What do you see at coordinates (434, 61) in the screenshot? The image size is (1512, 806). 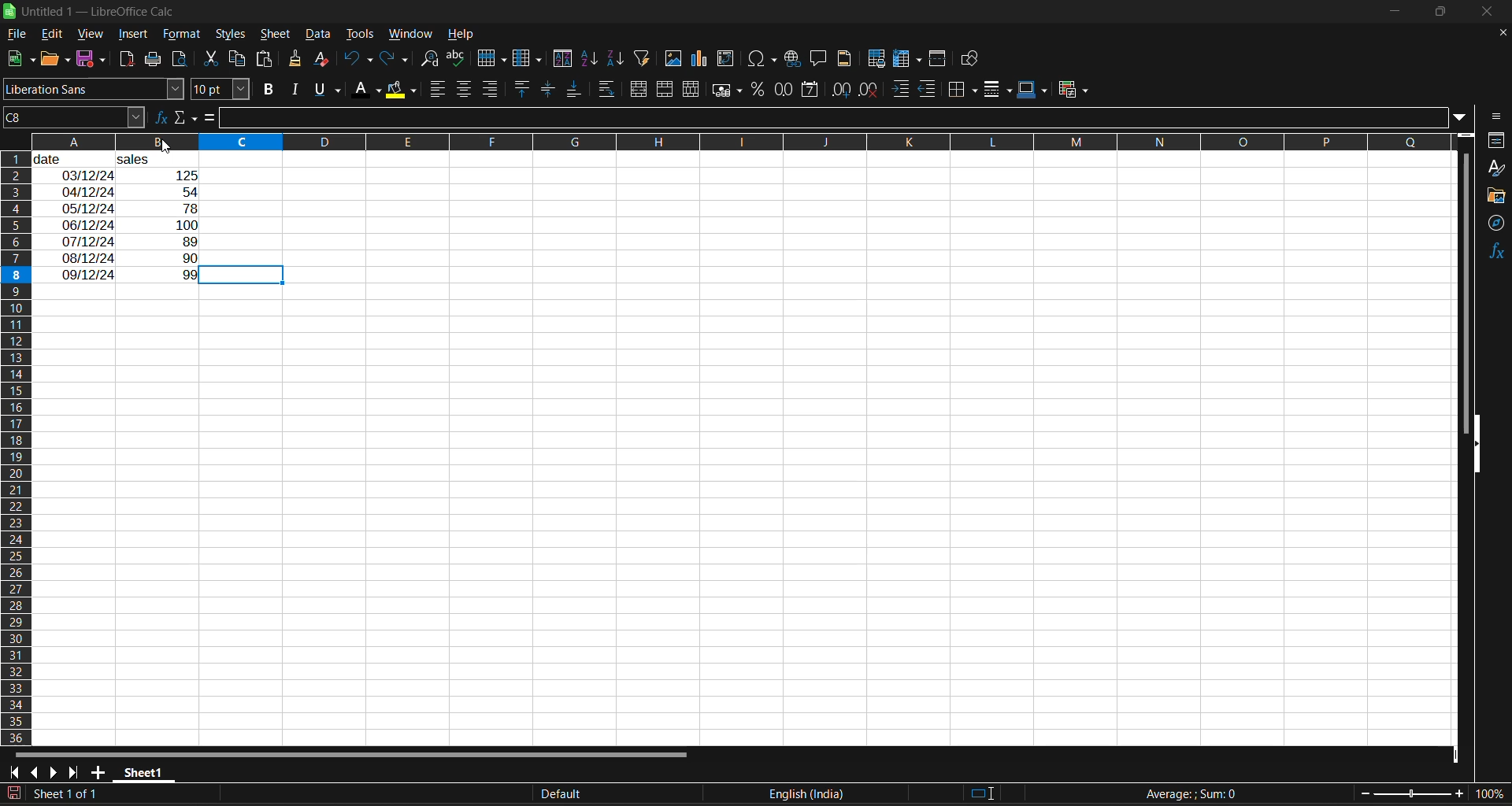 I see `find and replace` at bounding box center [434, 61].